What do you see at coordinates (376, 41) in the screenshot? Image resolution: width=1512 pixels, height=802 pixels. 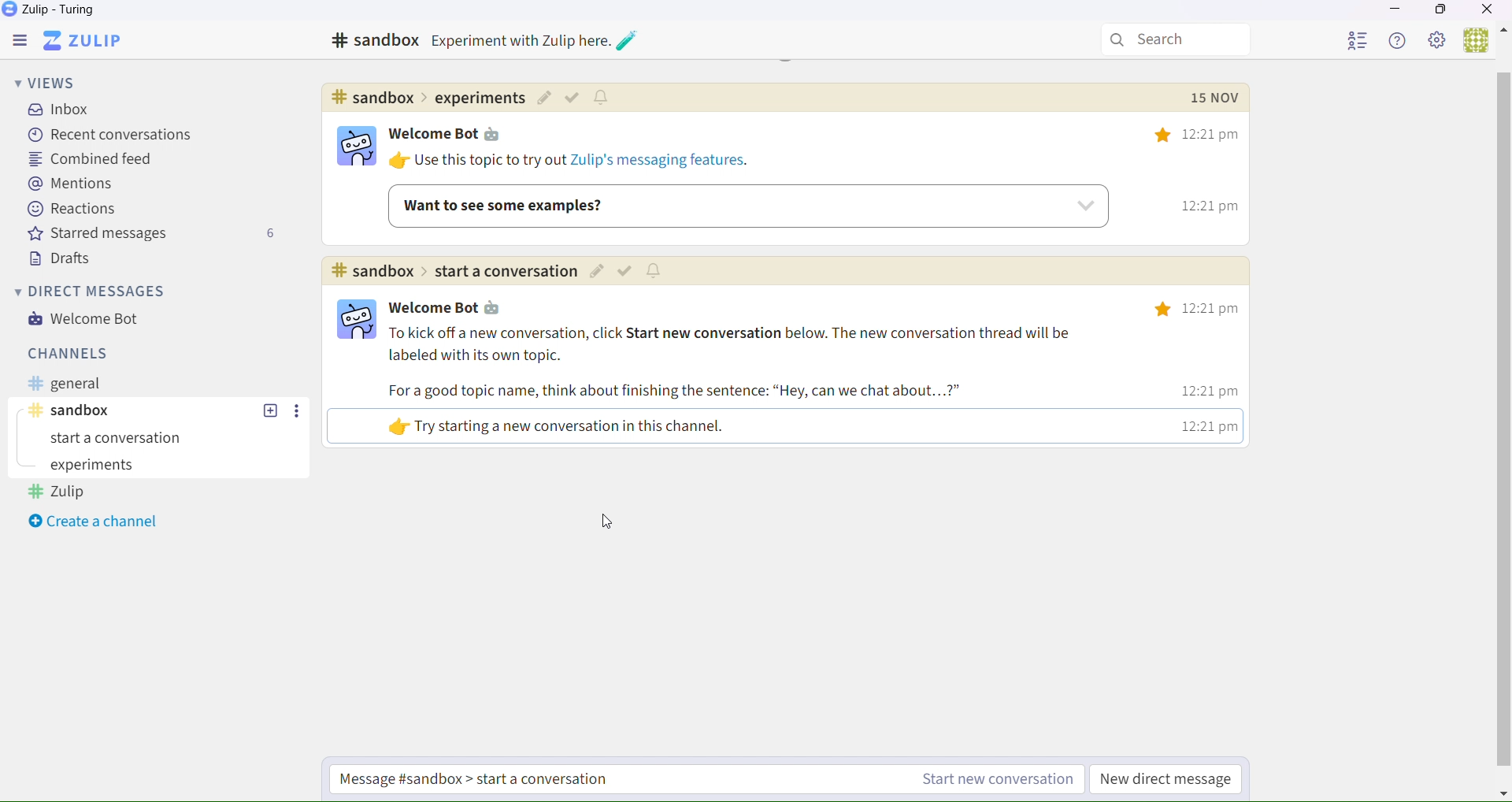 I see `#sandbox` at bounding box center [376, 41].